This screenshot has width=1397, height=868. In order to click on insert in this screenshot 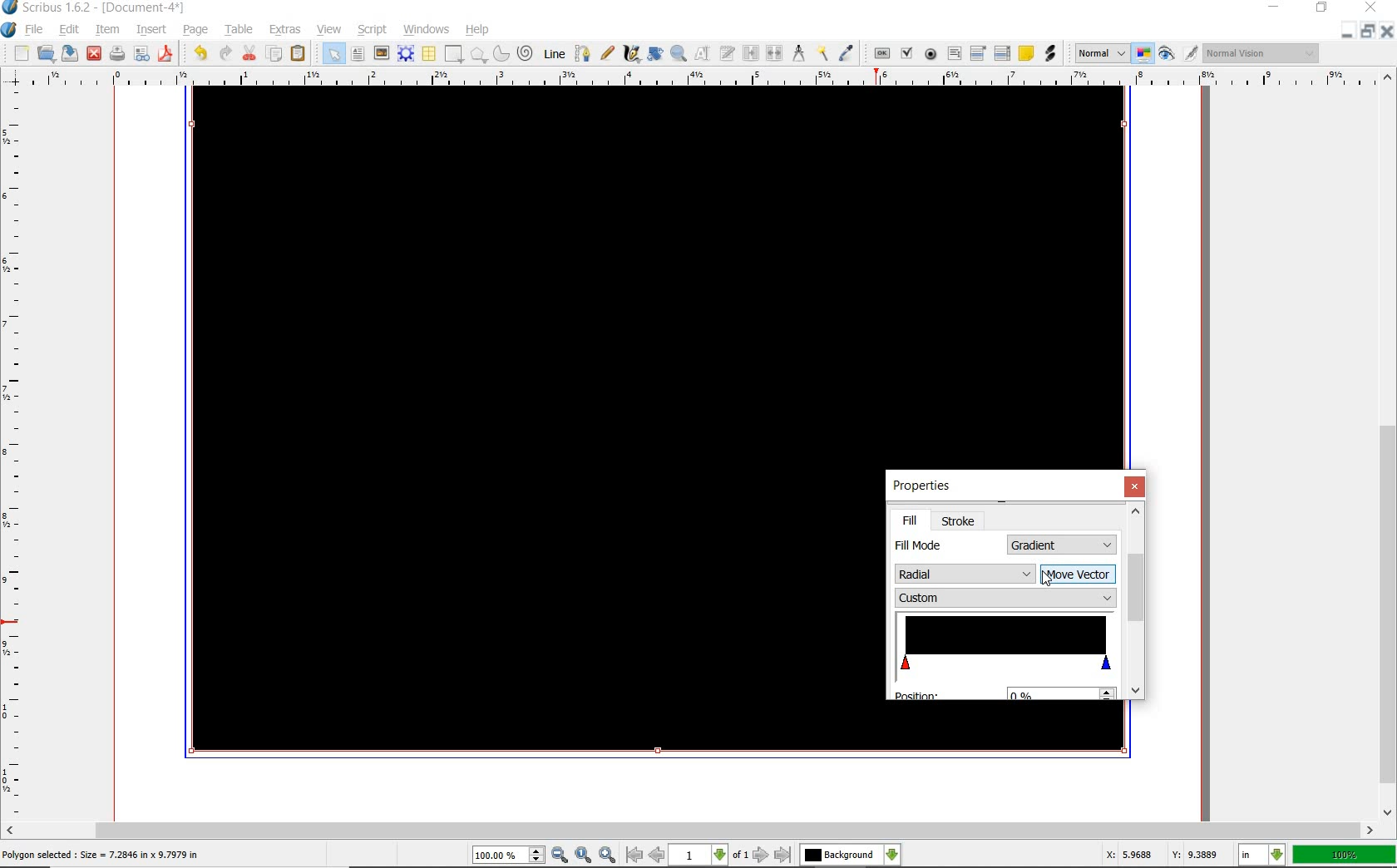, I will do `click(151, 29)`.